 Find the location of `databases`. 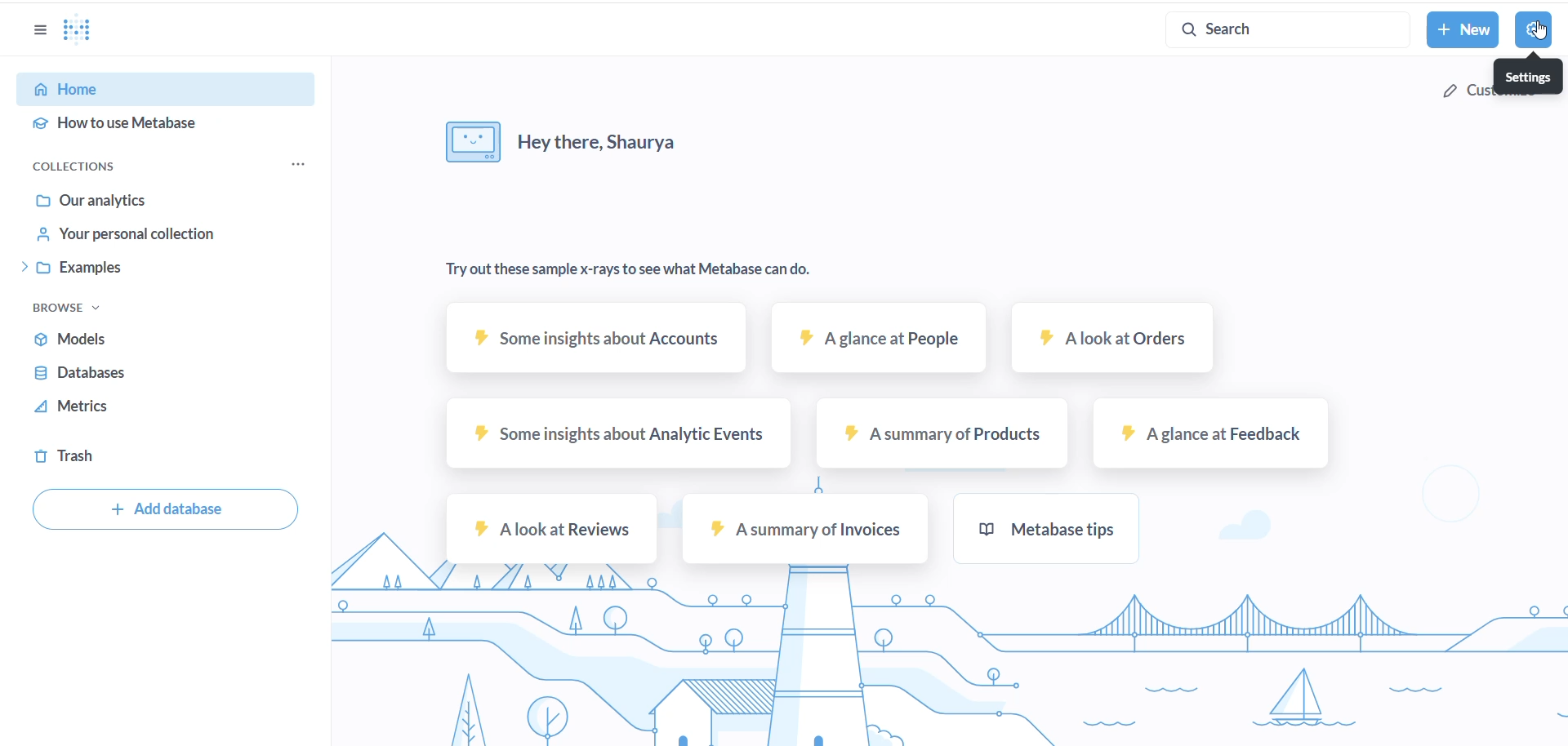

databases is located at coordinates (145, 375).